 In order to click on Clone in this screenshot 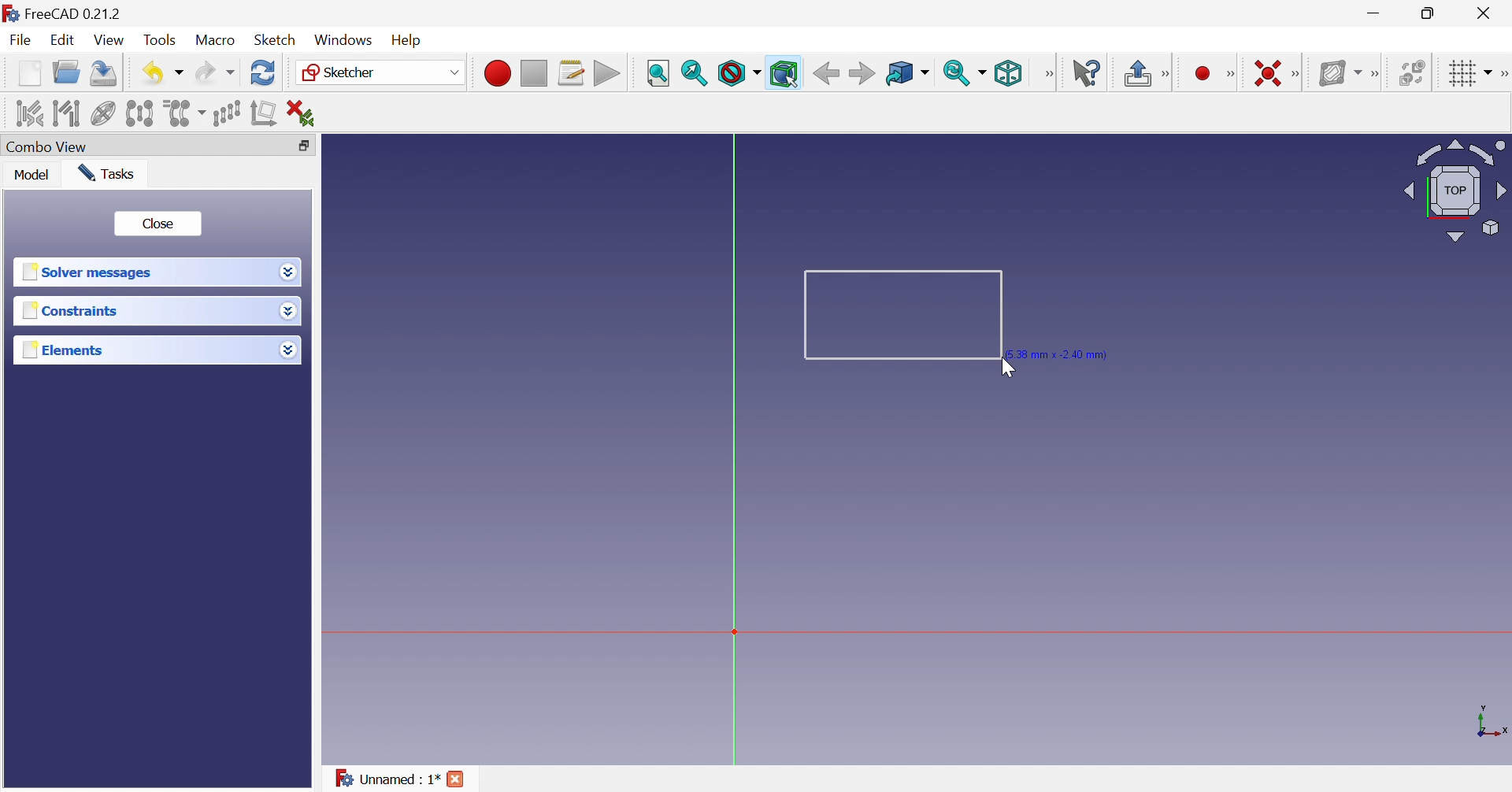, I will do `click(183, 114)`.